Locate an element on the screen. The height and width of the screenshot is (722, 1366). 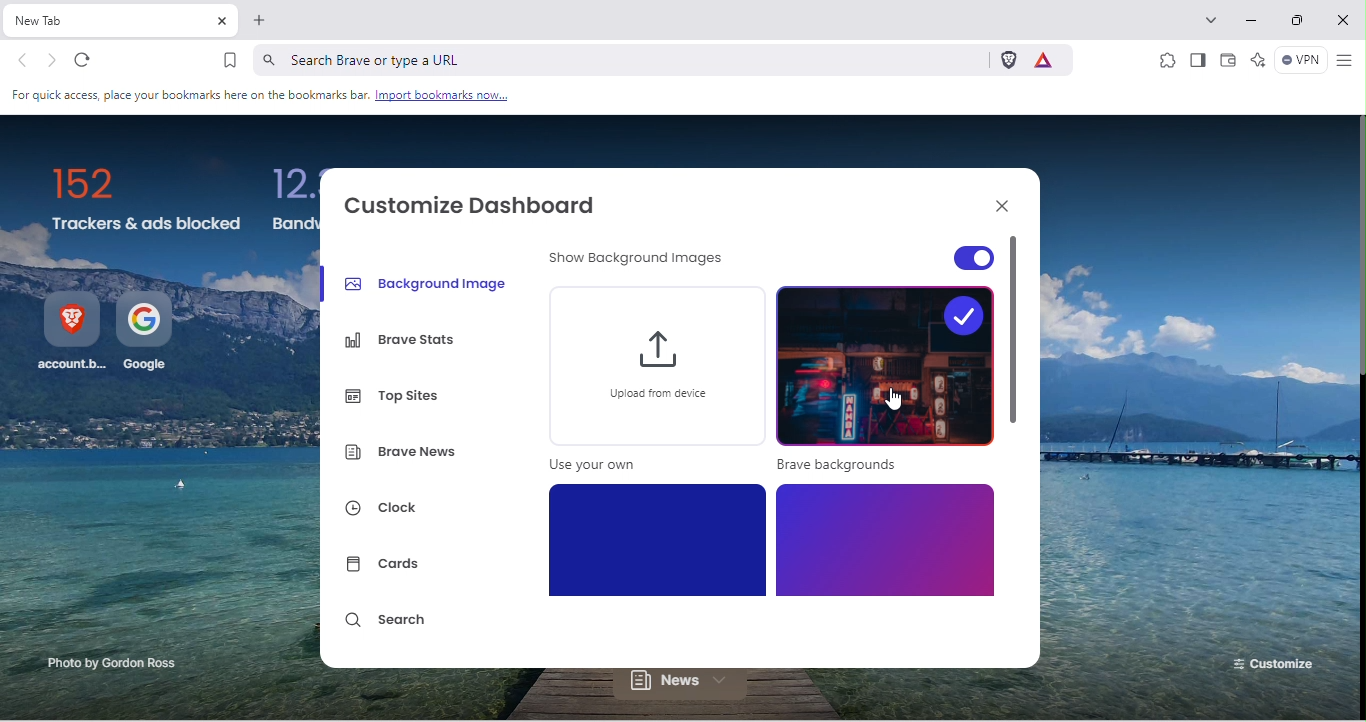
Wallet is located at coordinates (1229, 63).